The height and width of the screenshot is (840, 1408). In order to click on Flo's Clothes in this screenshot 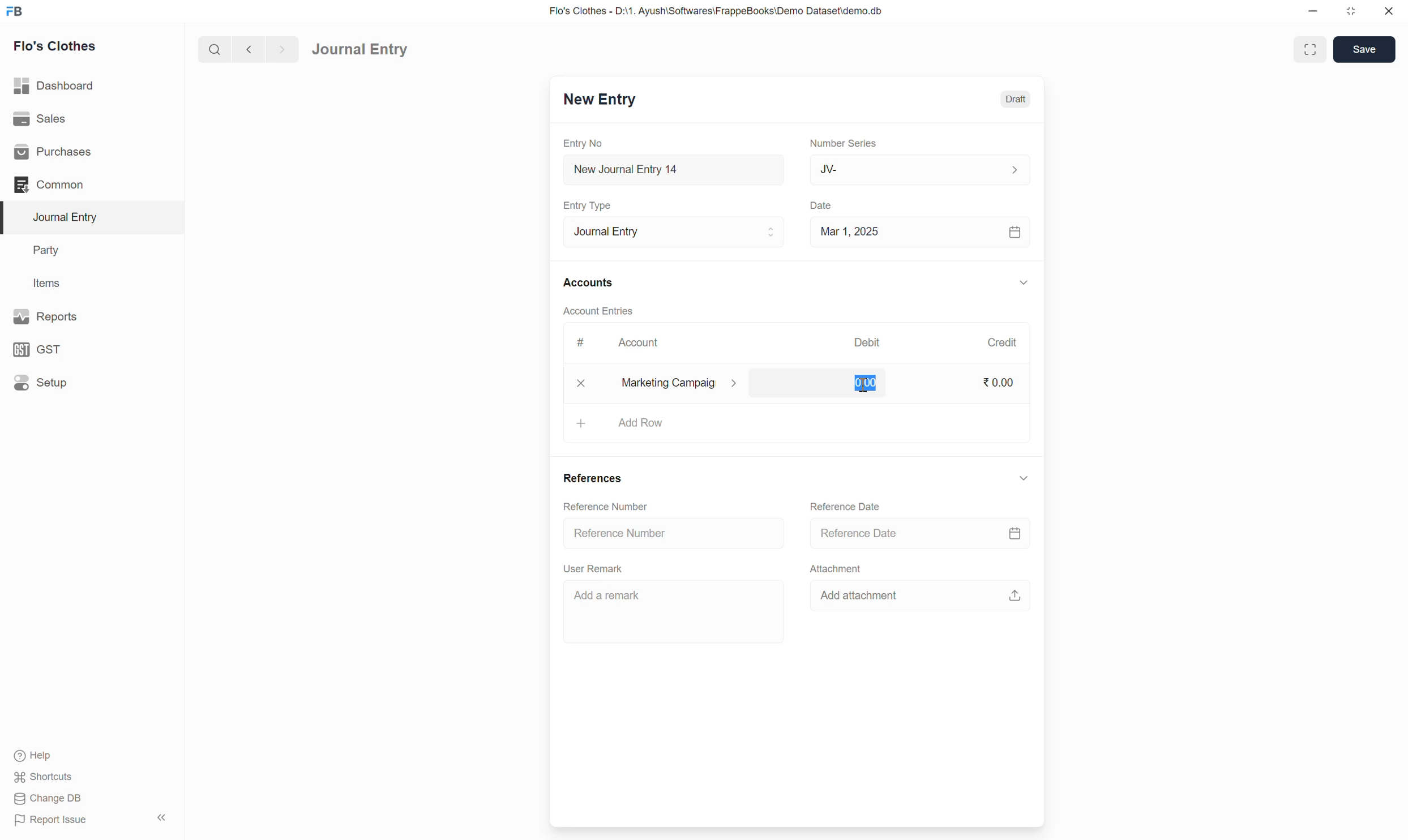, I will do `click(57, 46)`.